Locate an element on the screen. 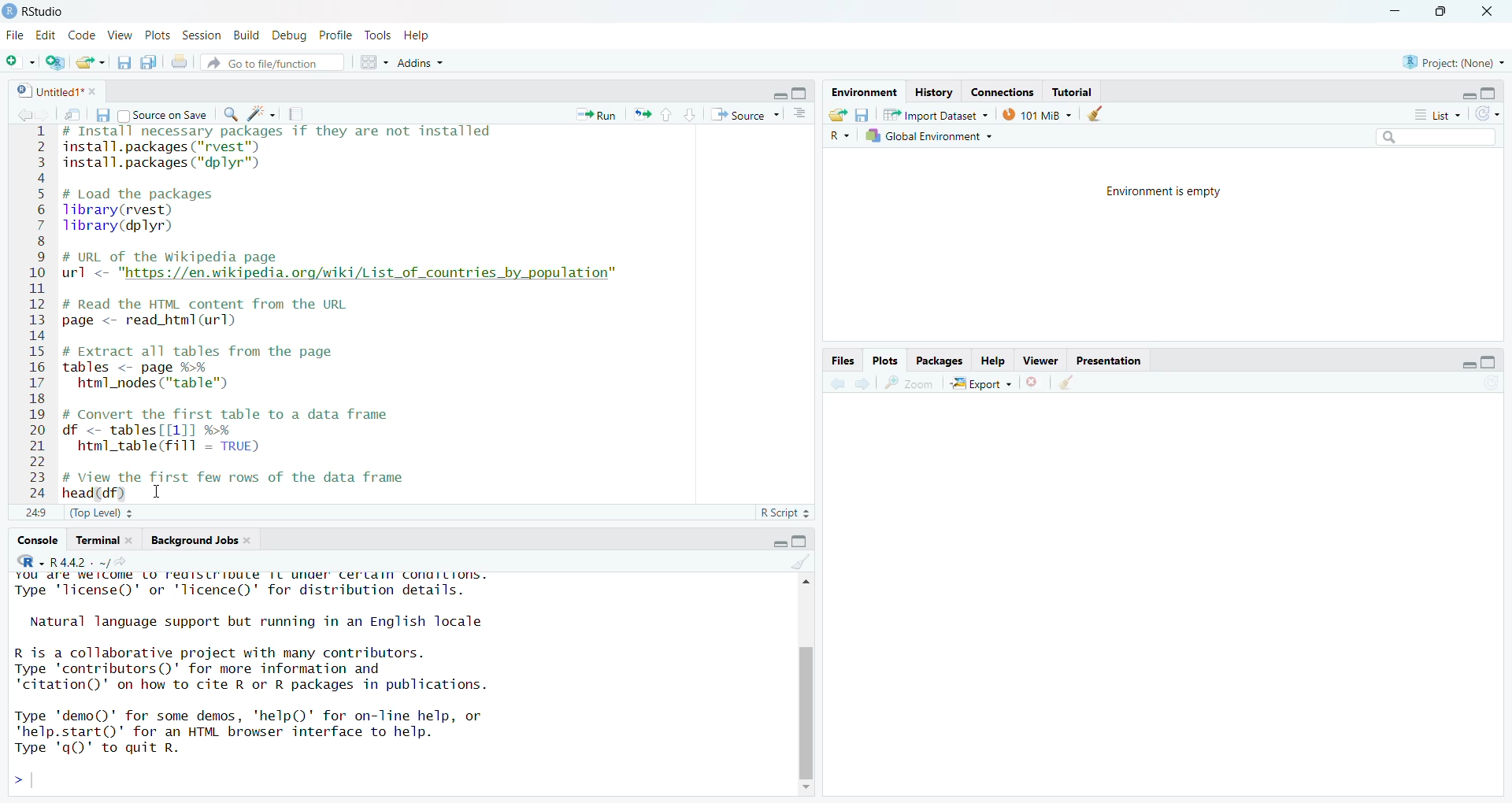 The image size is (1512, 803). Console is located at coordinates (37, 541).